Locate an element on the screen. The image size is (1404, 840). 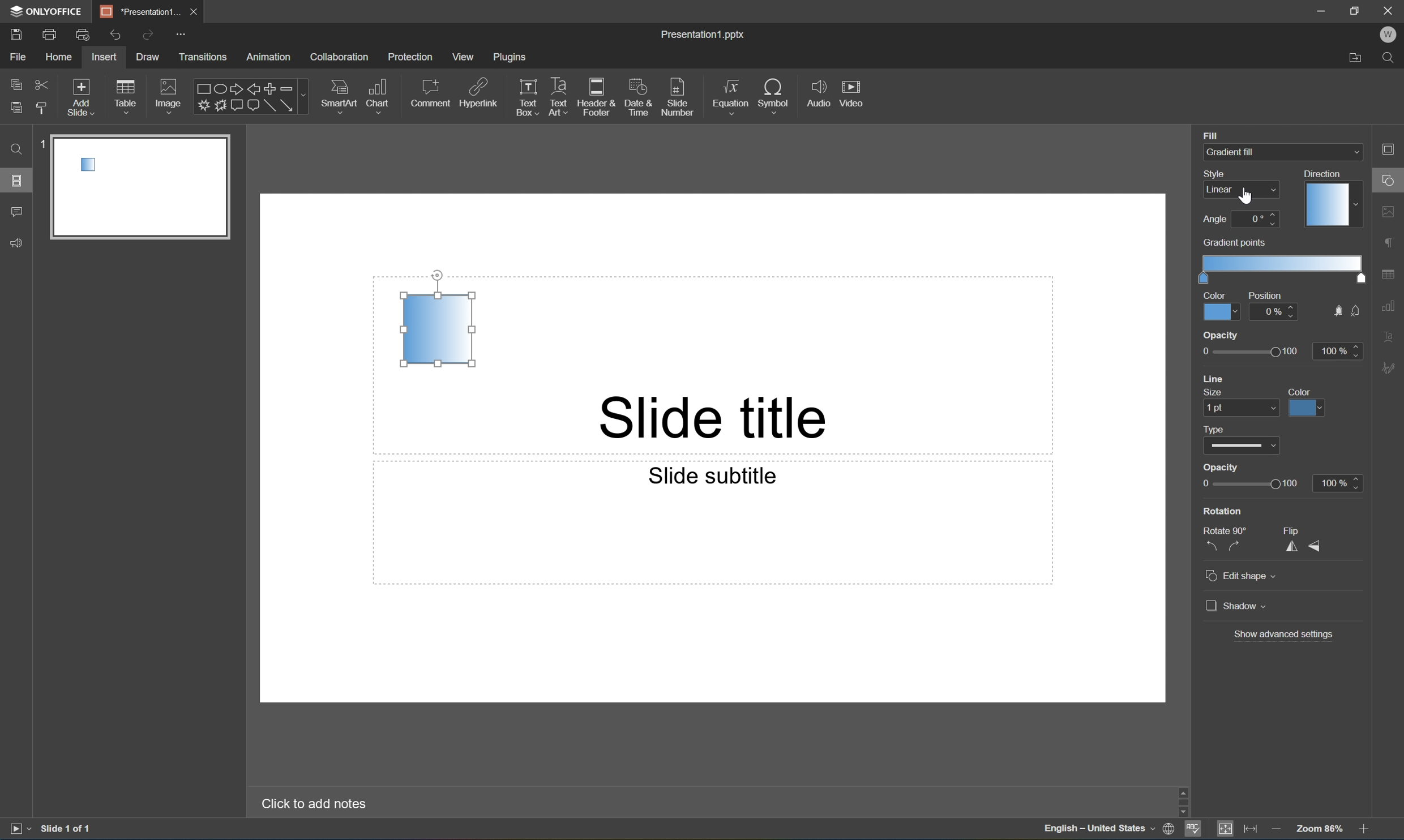
Signature settings is located at coordinates (1391, 368).